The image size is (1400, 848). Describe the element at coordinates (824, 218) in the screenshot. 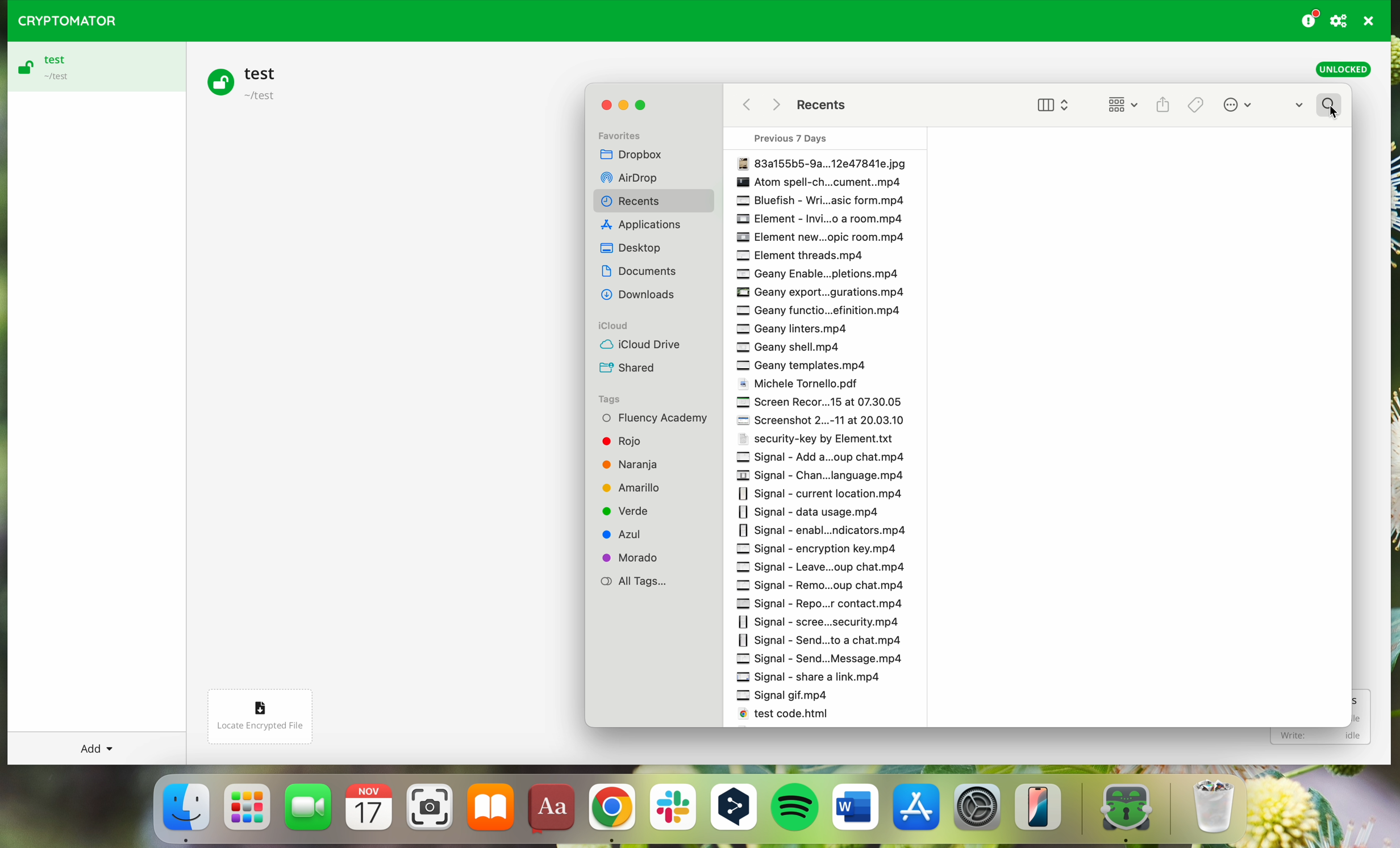

I see `Element` at that location.